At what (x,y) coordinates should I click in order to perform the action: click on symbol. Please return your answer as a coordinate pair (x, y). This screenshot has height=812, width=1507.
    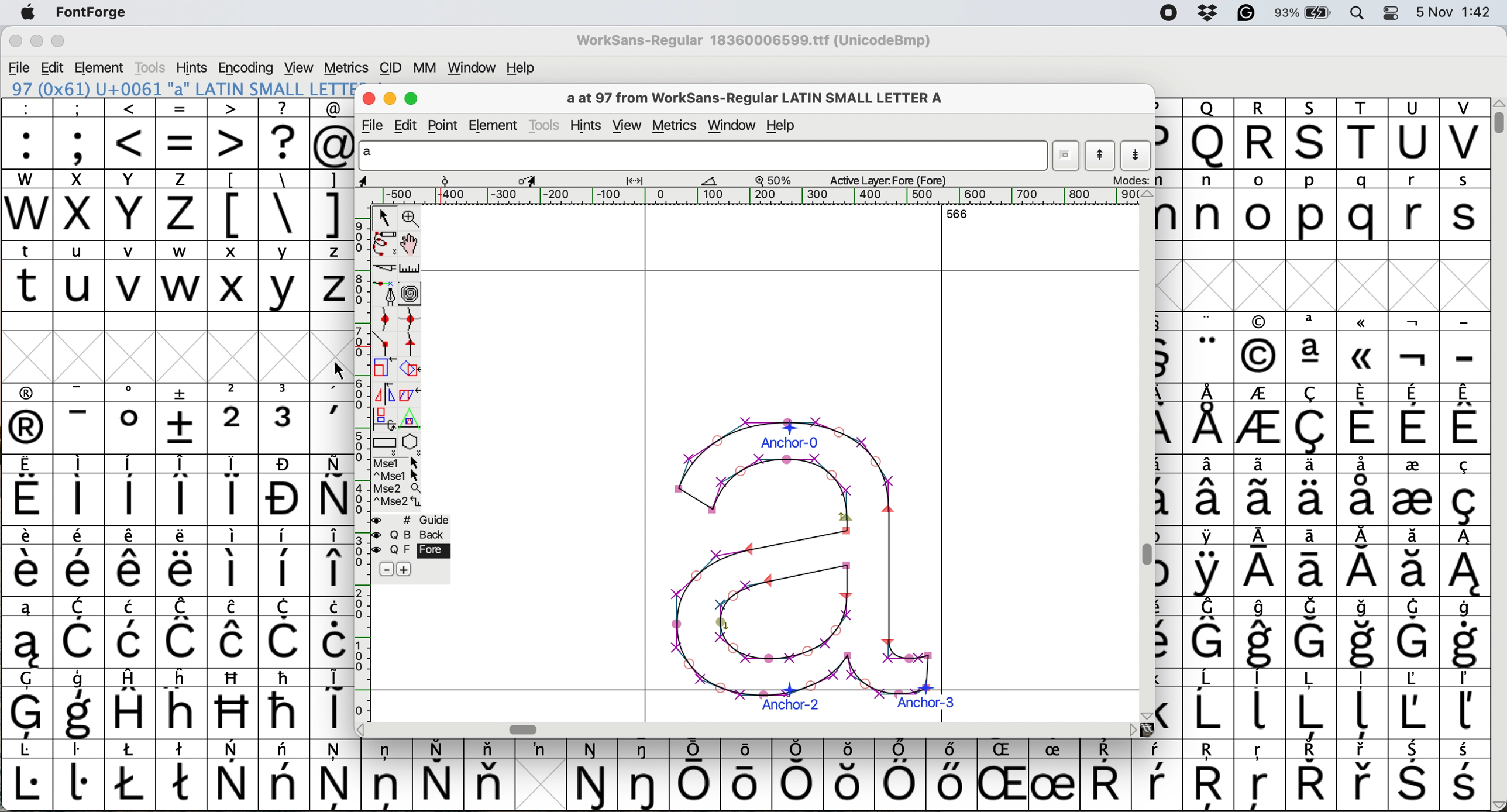
    Looking at the image, I should click on (78, 490).